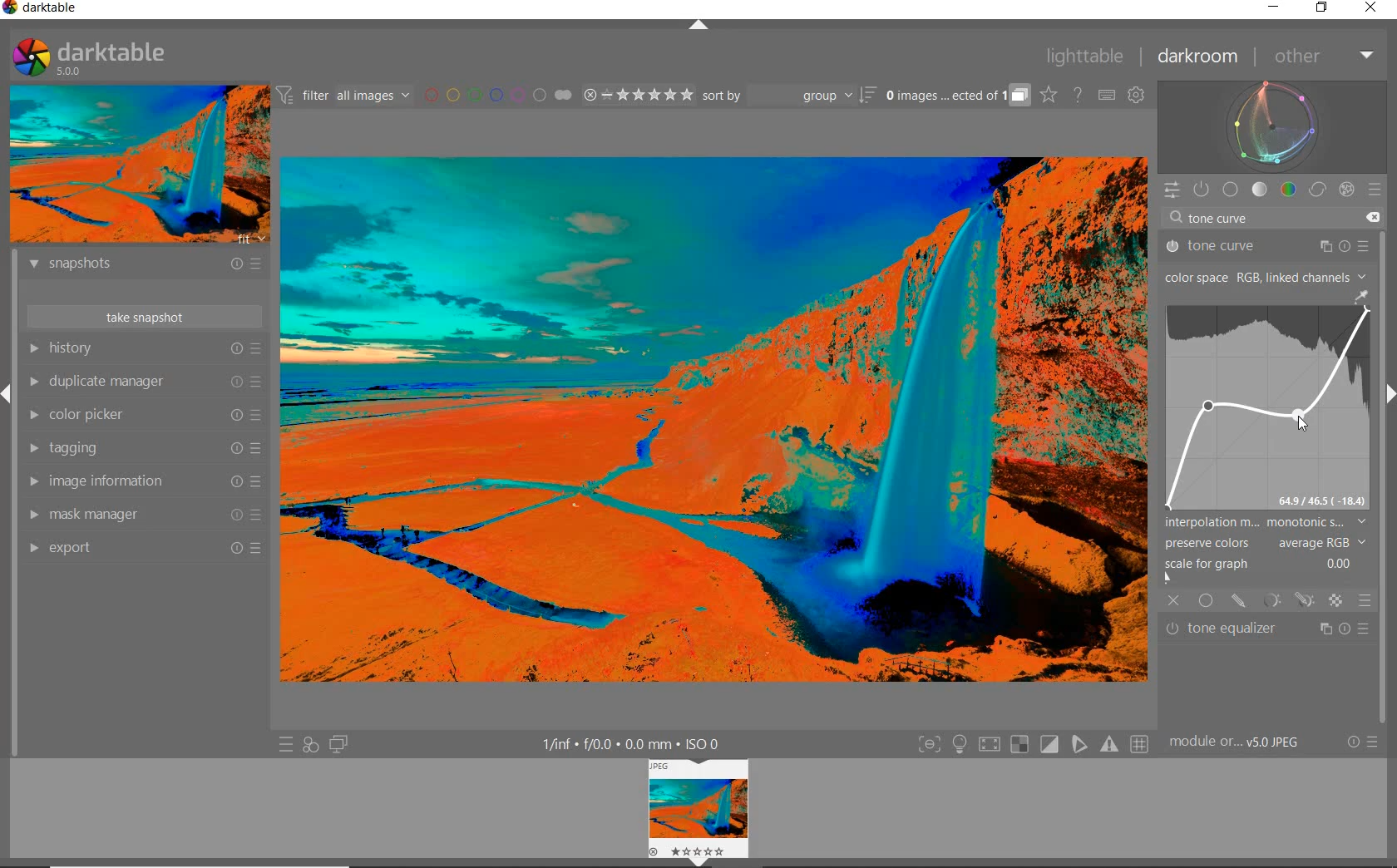  What do you see at coordinates (8, 396) in the screenshot?
I see `Expand/Collapse` at bounding box center [8, 396].